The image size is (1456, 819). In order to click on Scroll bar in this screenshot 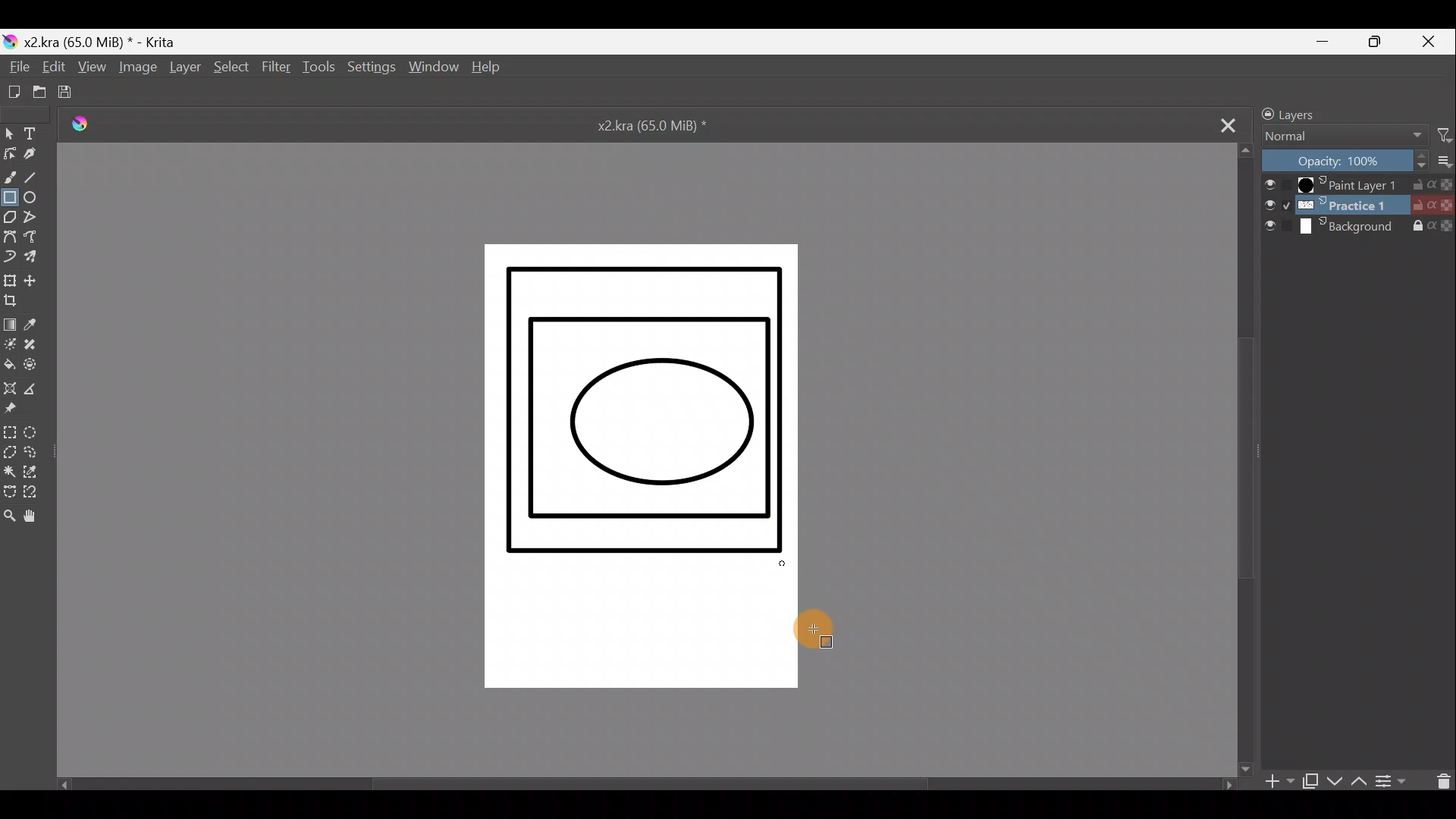, I will do `click(654, 783)`.